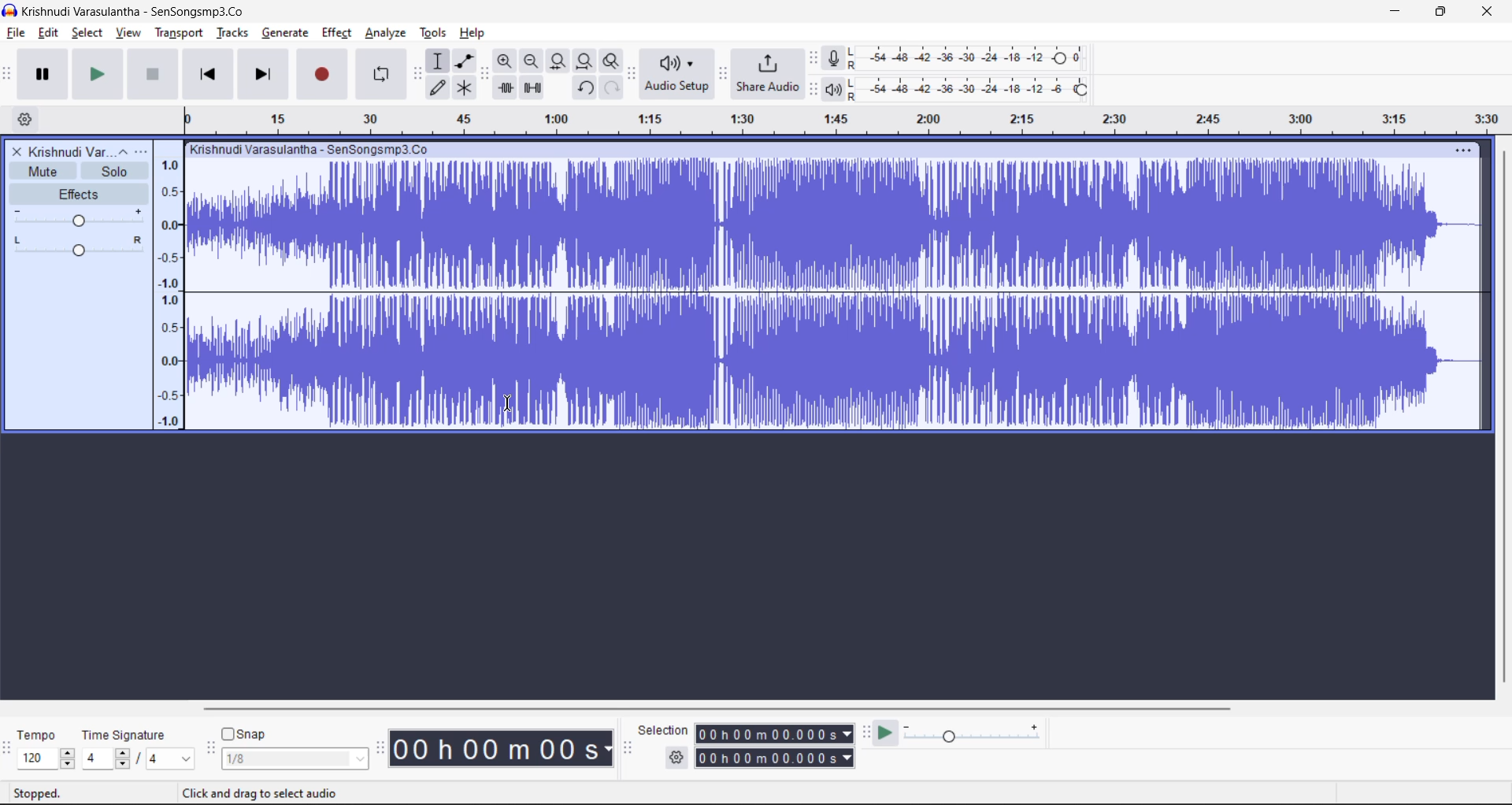  I want to click on transport tool bar, so click(9, 75).